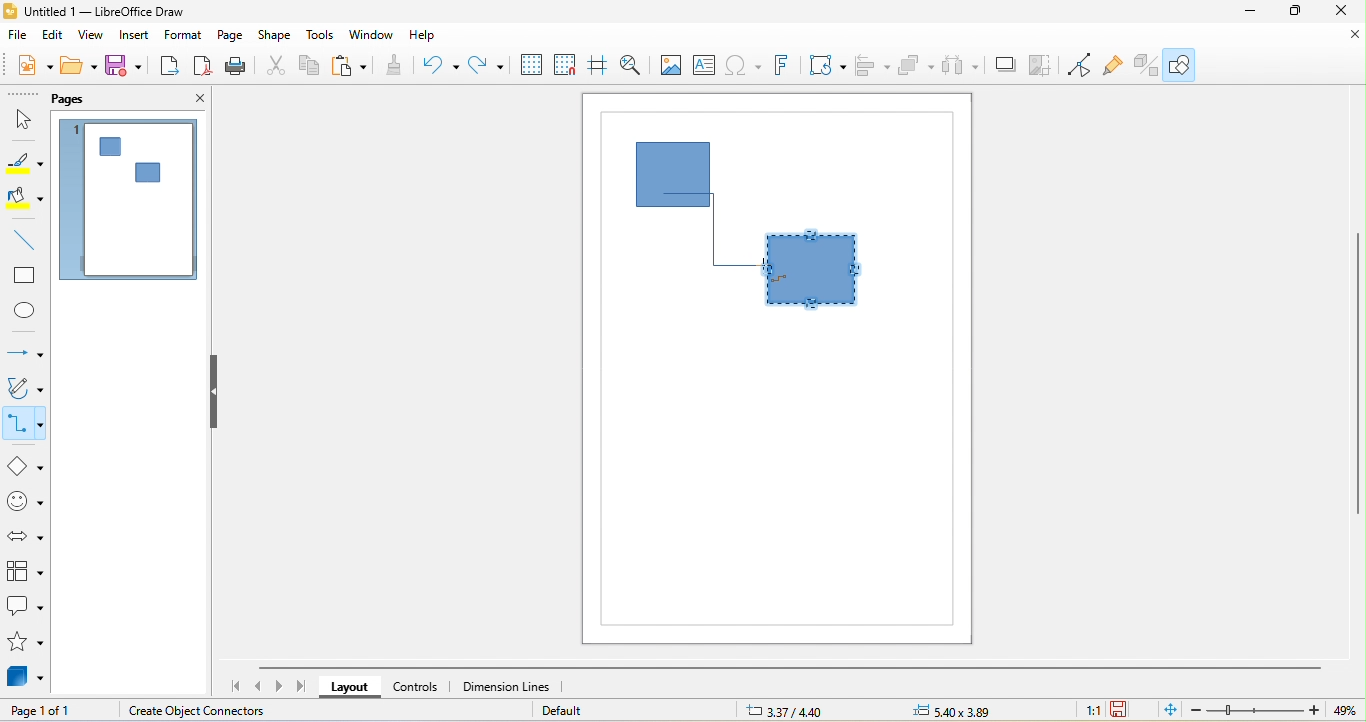  Describe the element at coordinates (820, 274) in the screenshot. I see `shape selected` at that location.